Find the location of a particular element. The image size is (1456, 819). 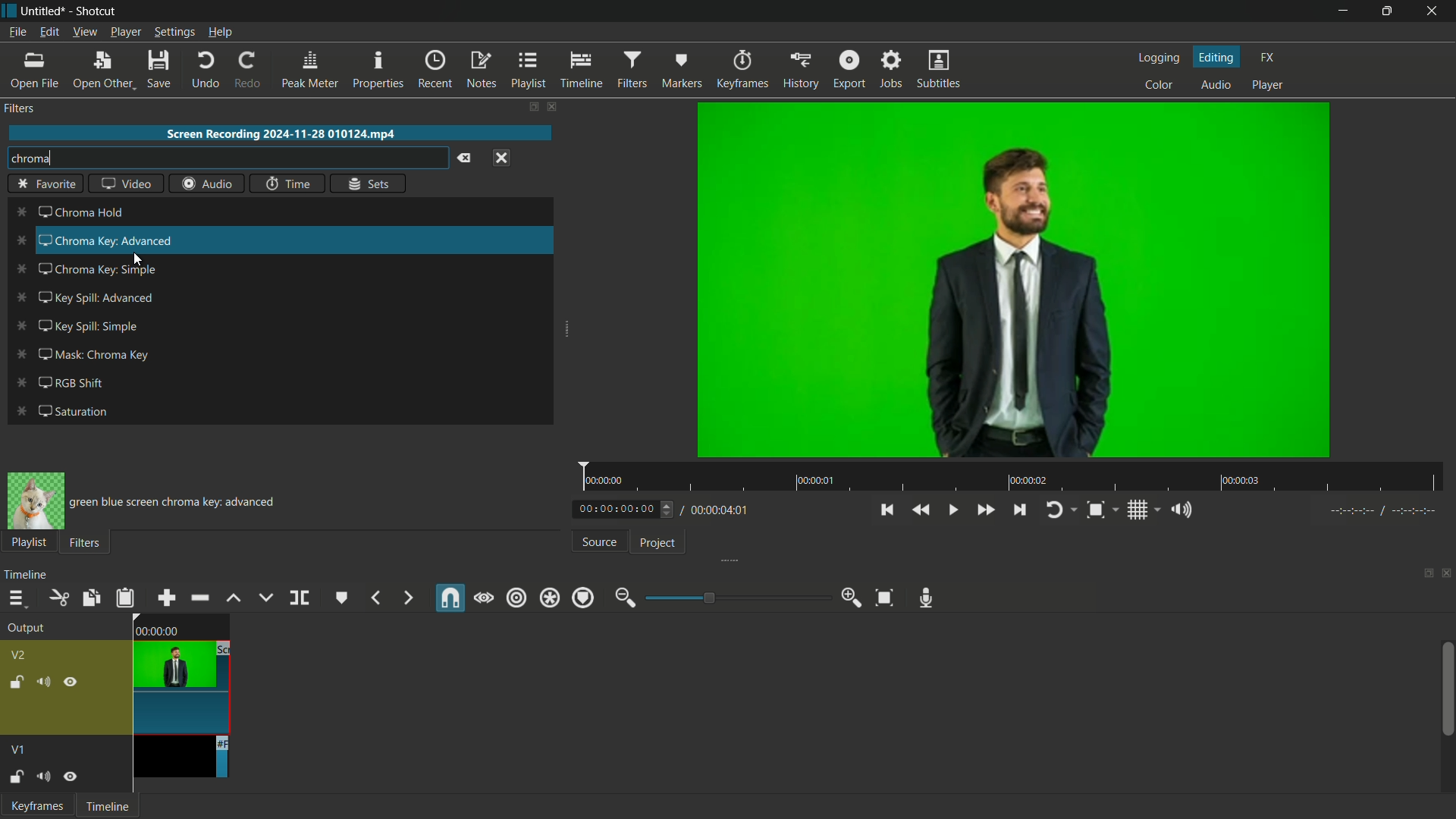

sets is located at coordinates (368, 183).